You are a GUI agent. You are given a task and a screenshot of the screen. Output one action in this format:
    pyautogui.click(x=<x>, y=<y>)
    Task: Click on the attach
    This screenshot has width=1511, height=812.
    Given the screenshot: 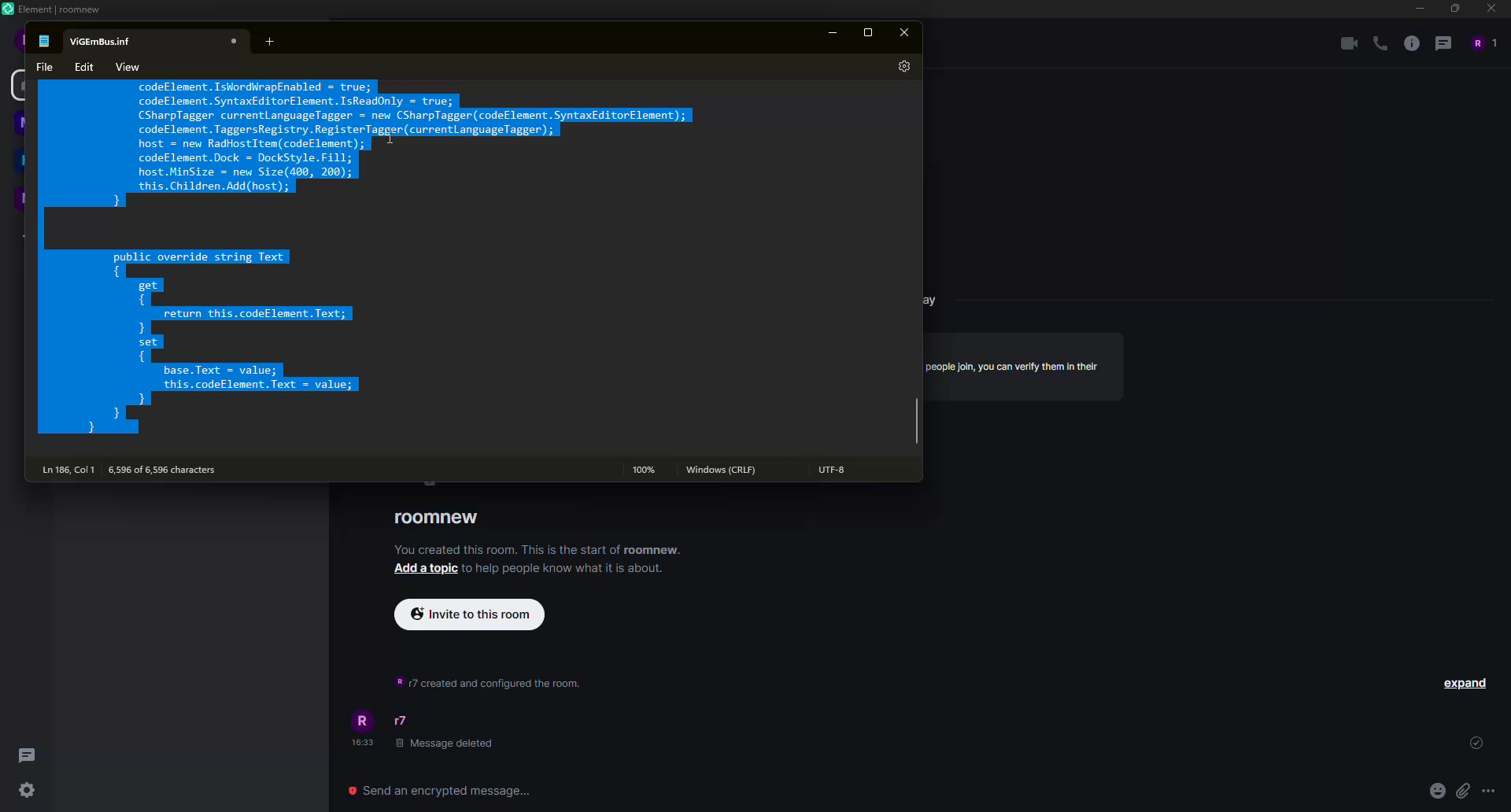 What is the action you would take?
    pyautogui.click(x=1462, y=789)
    